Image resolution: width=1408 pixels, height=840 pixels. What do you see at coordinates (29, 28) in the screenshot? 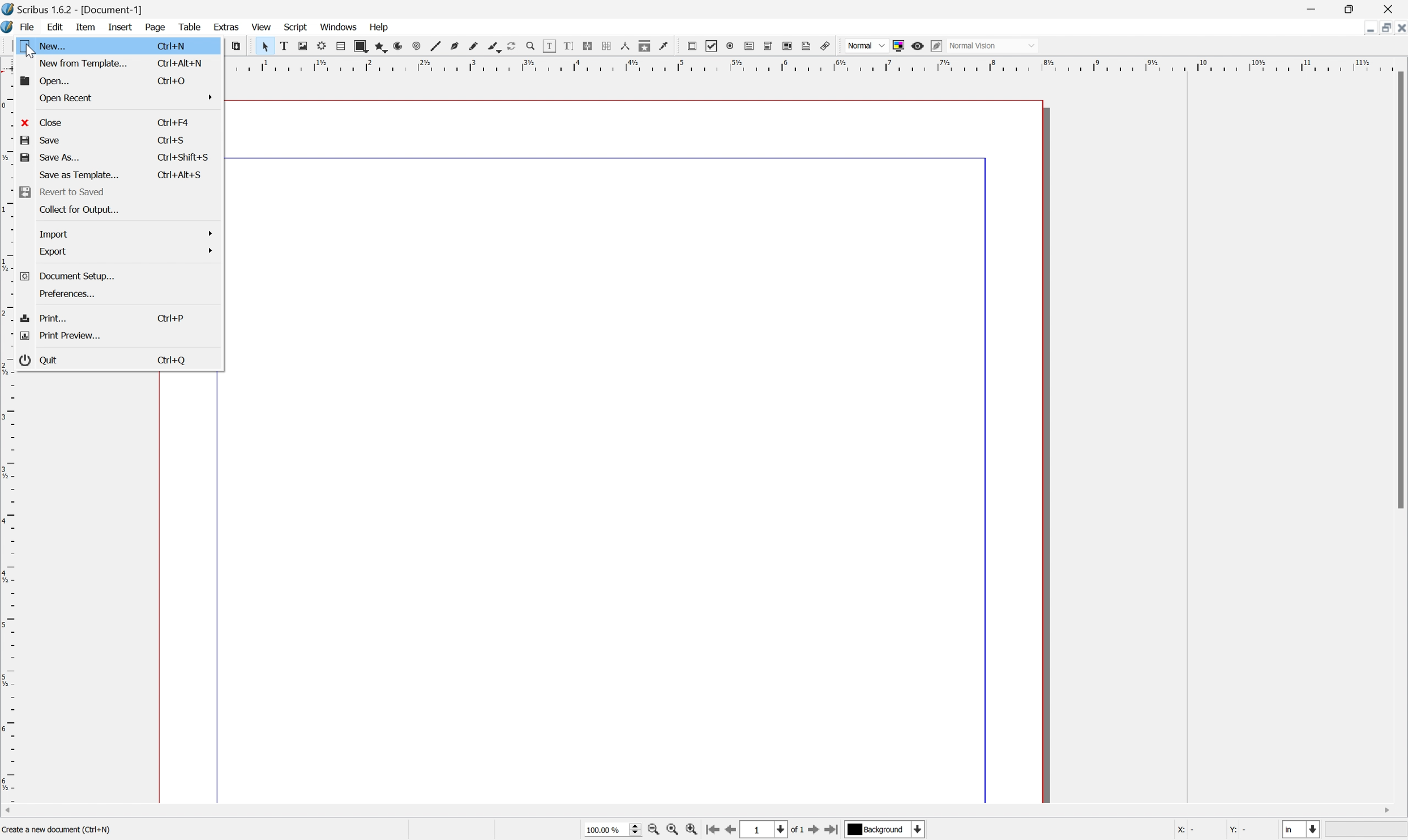
I see `File` at bounding box center [29, 28].